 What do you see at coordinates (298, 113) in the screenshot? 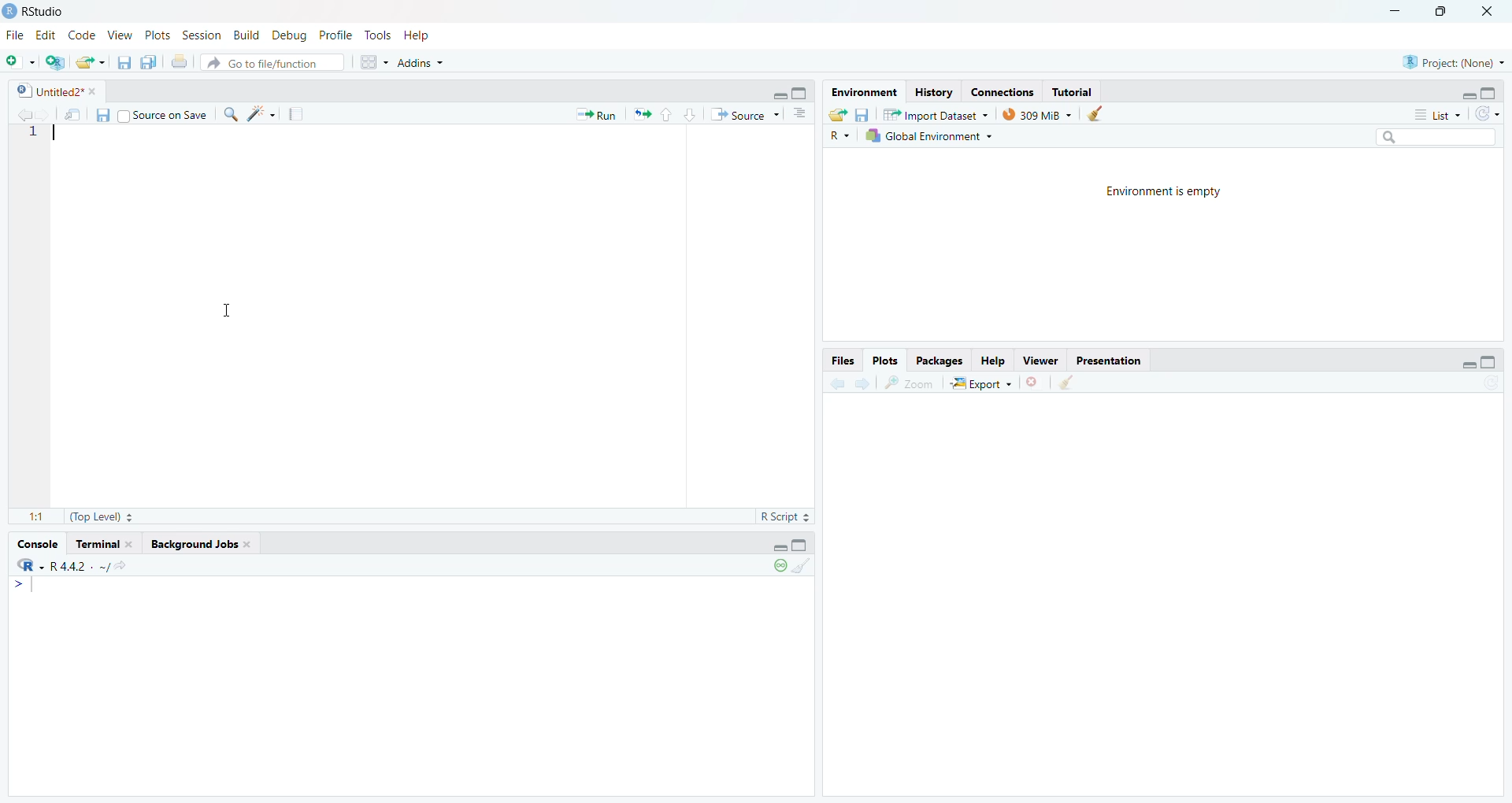
I see `notes` at bounding box center [298, 113].